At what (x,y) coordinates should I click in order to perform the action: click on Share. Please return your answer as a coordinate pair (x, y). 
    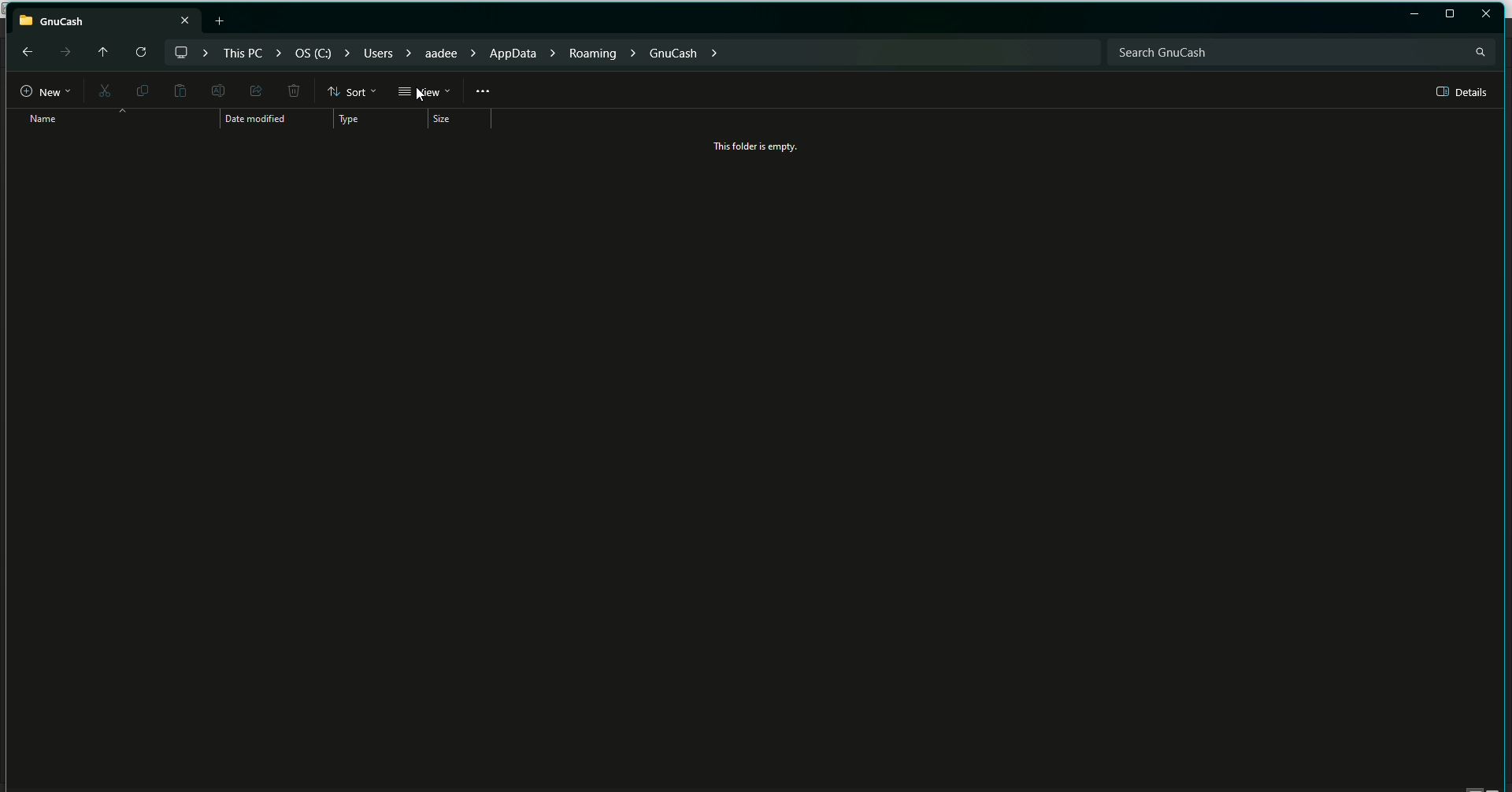
    Looking at the image, I should click on (254, 90).